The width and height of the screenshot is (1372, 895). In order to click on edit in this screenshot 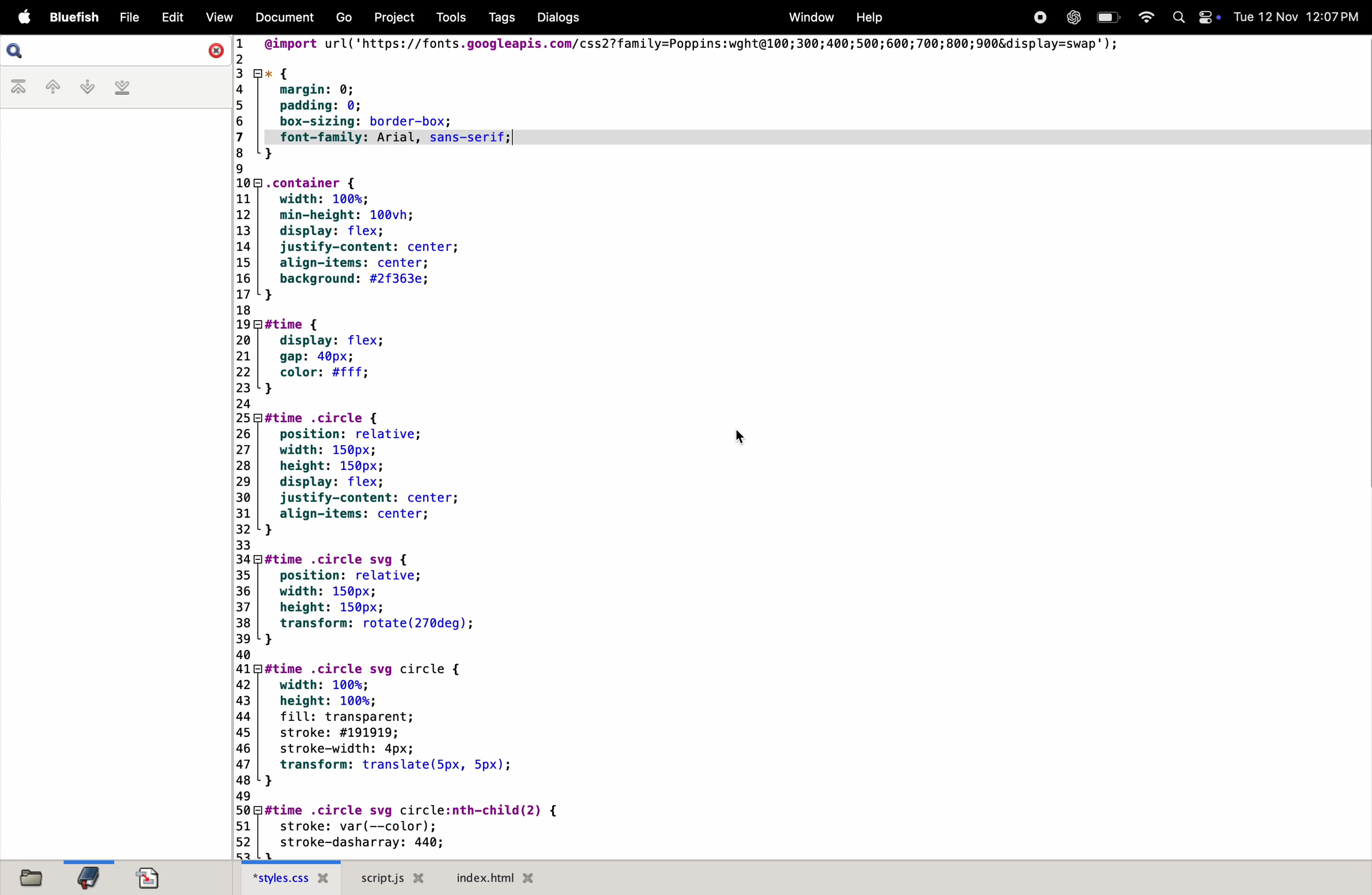, I will do `click(169, 17)`.